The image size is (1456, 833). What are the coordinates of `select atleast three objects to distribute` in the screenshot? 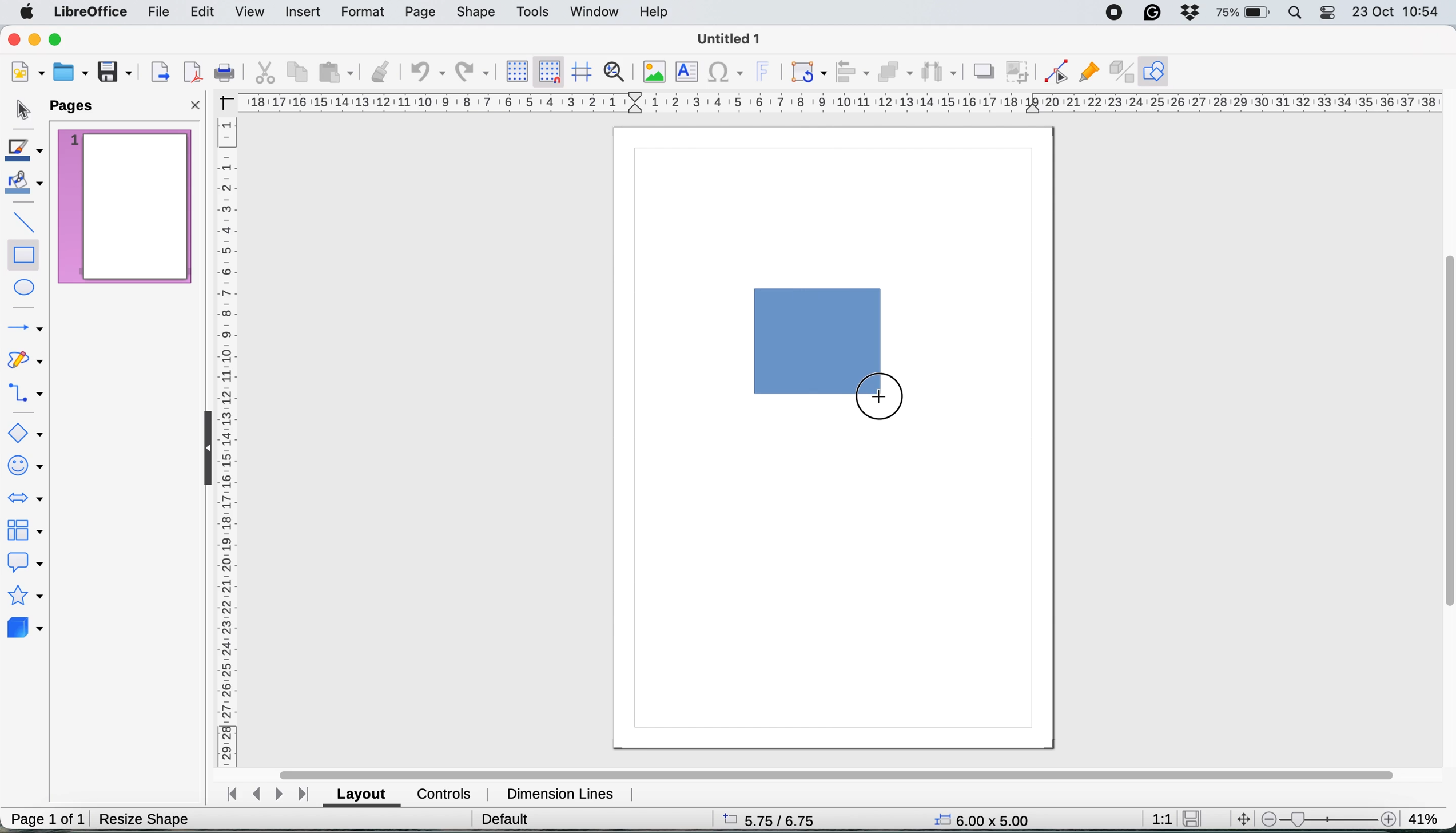 It's located at (943, 72).